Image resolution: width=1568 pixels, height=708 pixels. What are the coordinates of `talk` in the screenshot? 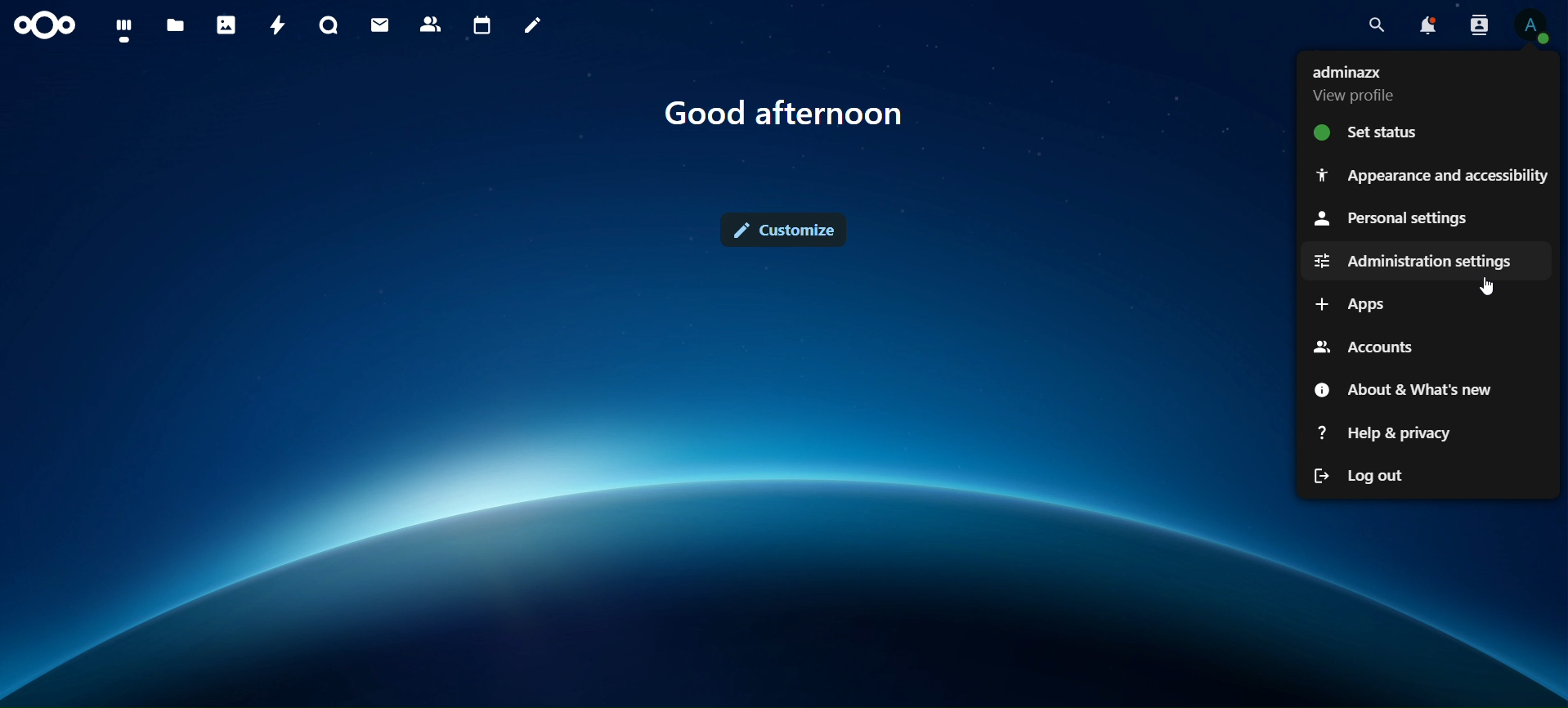 It's located at (329, 25).